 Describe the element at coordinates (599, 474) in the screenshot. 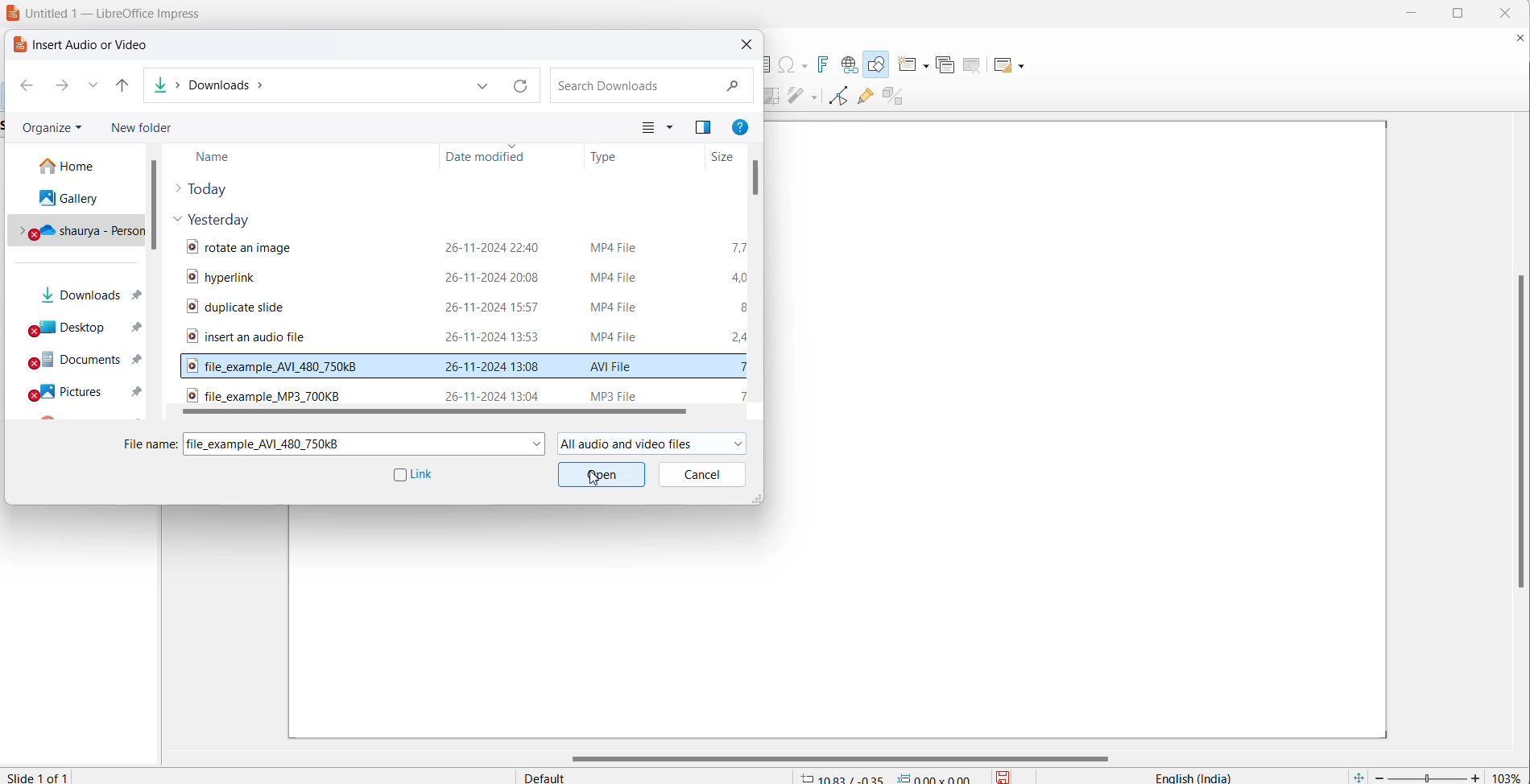

I see `open` at that location.